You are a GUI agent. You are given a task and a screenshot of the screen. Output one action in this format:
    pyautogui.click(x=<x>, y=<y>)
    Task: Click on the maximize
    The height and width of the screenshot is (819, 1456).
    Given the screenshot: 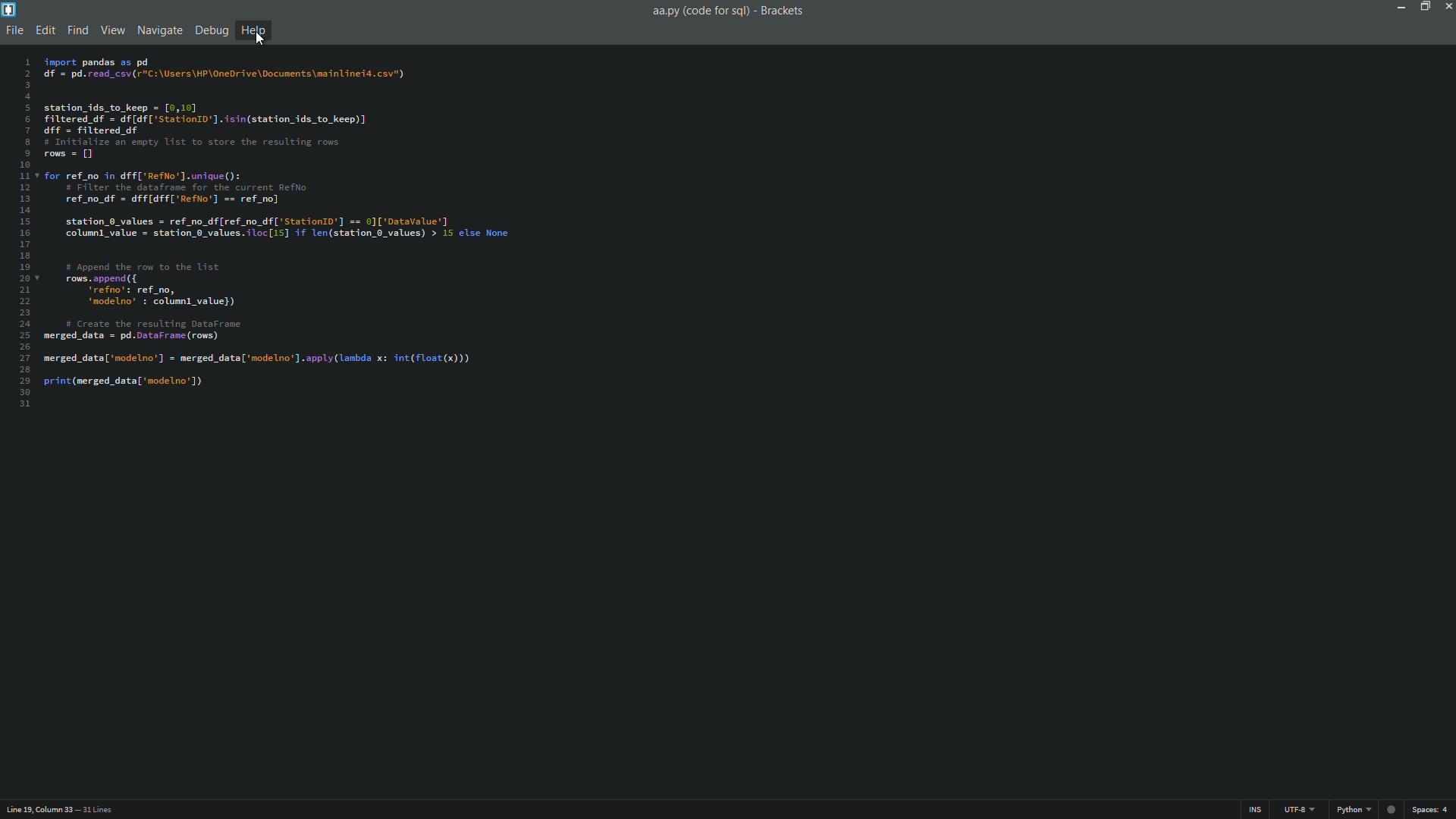 What is the action you would take?
    pyautogui.click(x=1425, y=7)
    